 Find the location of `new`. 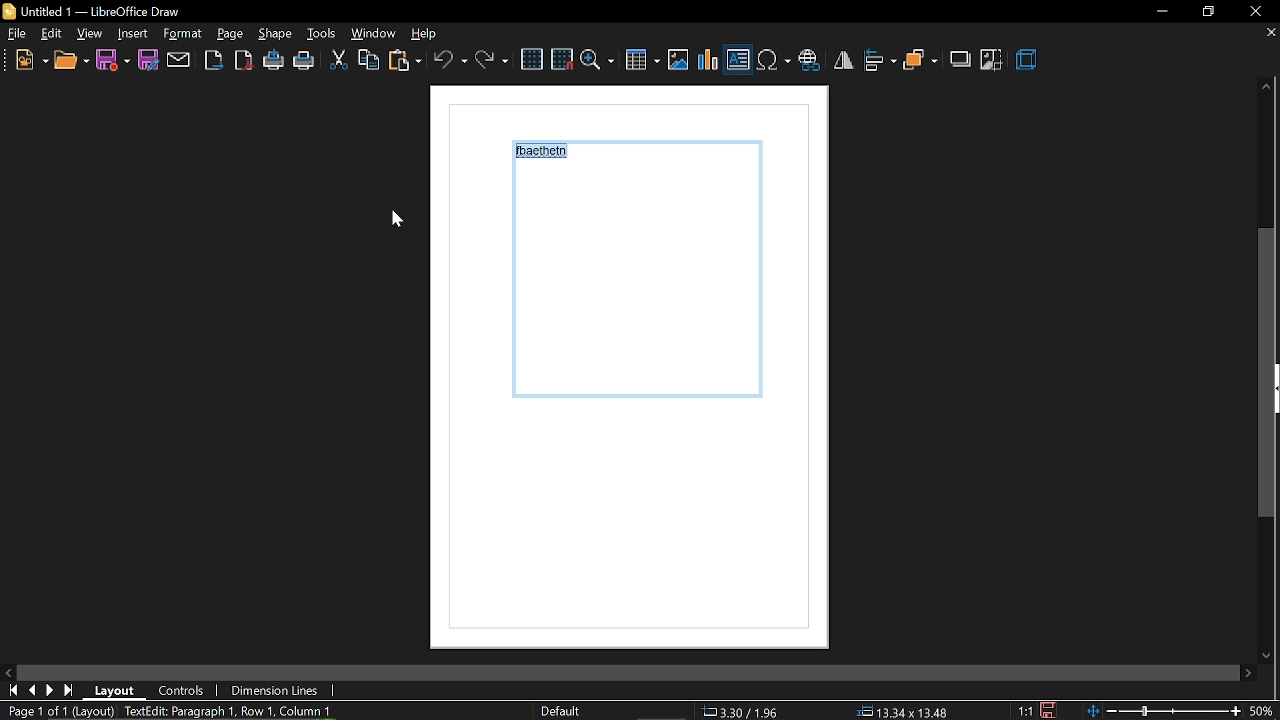

new is located at coordinates (30, 60).